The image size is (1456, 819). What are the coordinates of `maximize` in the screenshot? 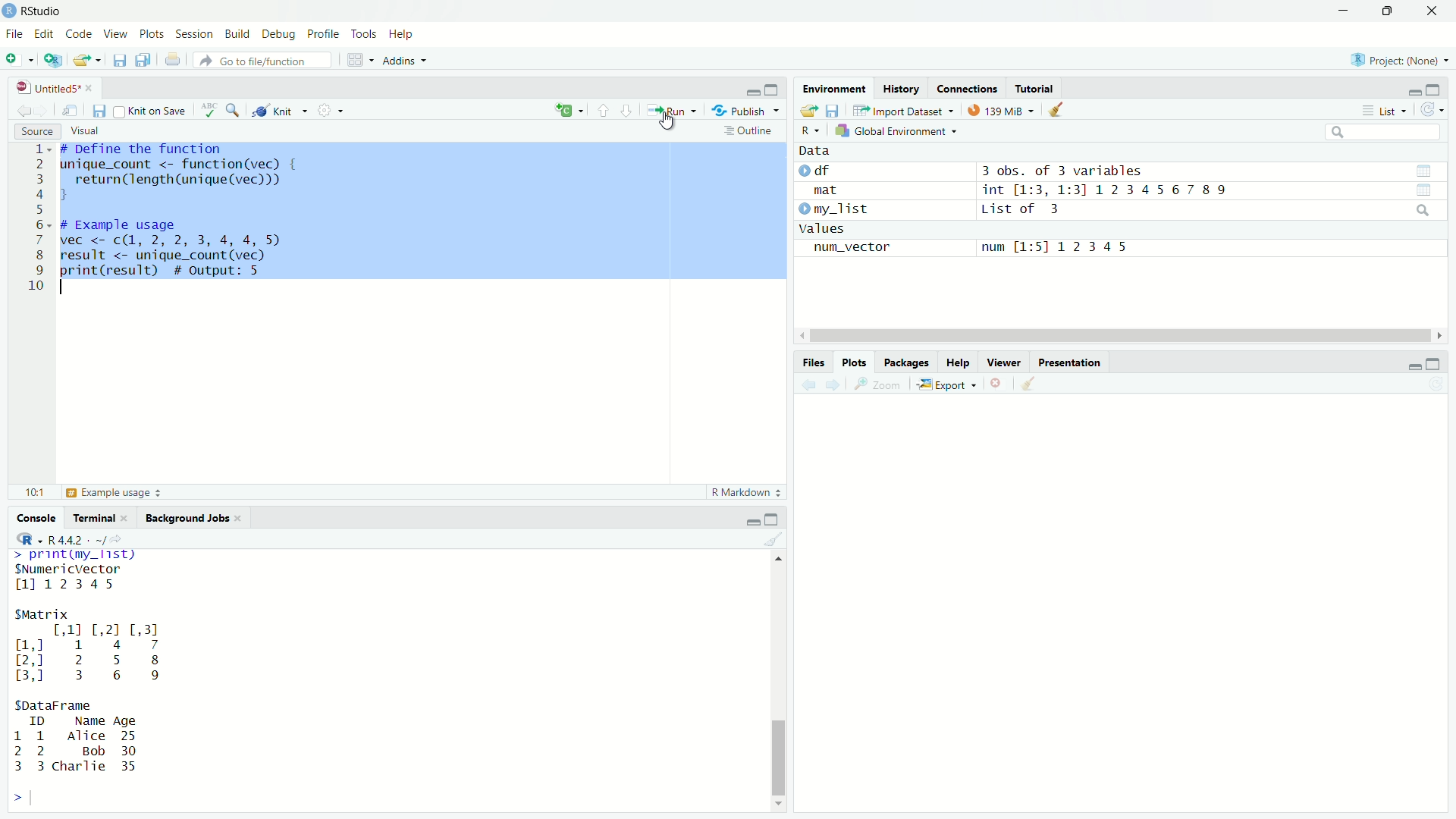 It's located at (1389, 11).